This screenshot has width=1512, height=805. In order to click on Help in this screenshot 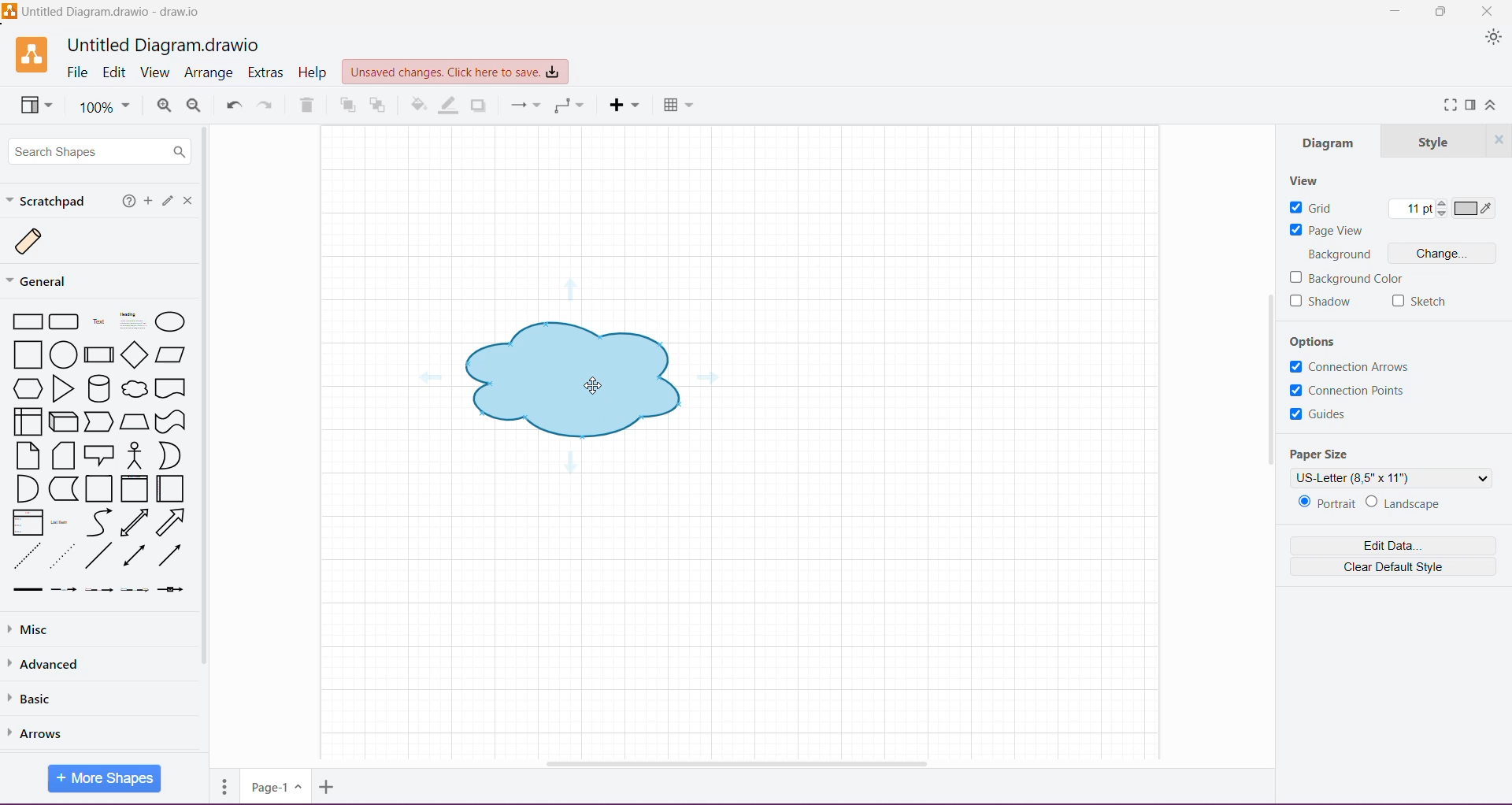, I will do `click(314, 73)`.